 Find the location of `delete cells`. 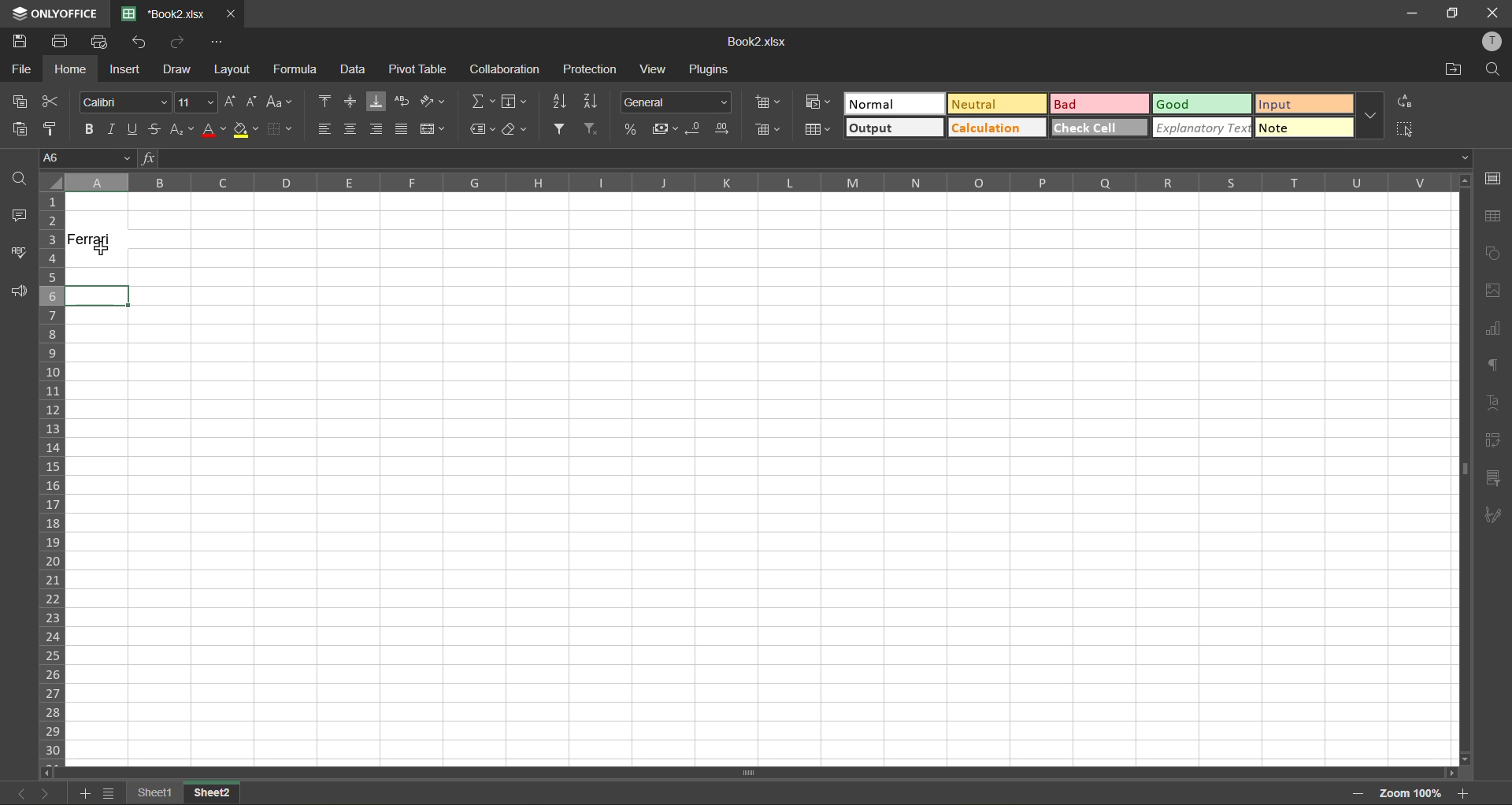

delete cells is located at coordinates (765, 129).